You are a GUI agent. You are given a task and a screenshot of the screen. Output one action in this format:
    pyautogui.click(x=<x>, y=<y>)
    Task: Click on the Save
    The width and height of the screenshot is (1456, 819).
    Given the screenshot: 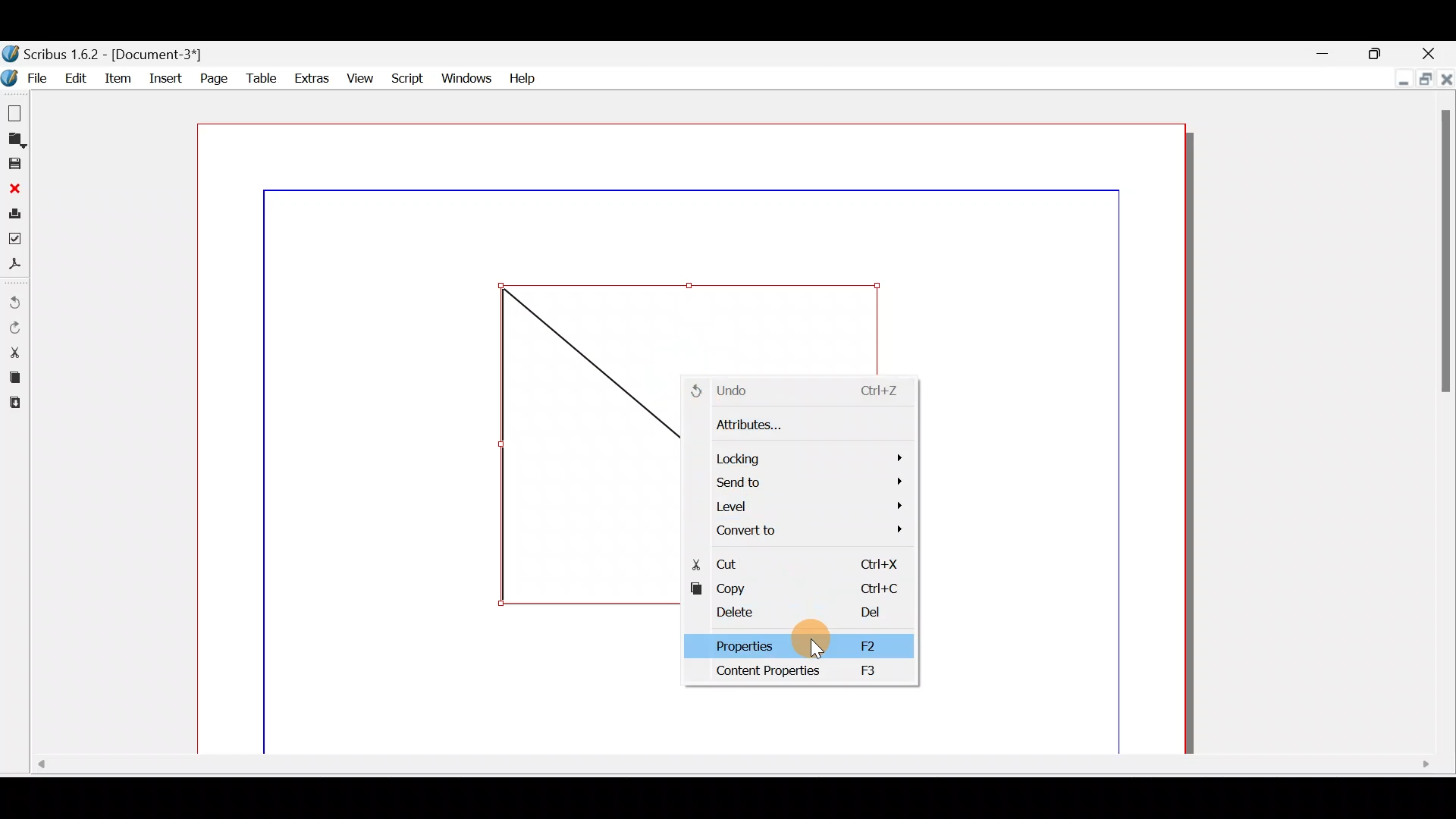 What is the action you would take?
    pyautogui.click(x=14, y=163)
    